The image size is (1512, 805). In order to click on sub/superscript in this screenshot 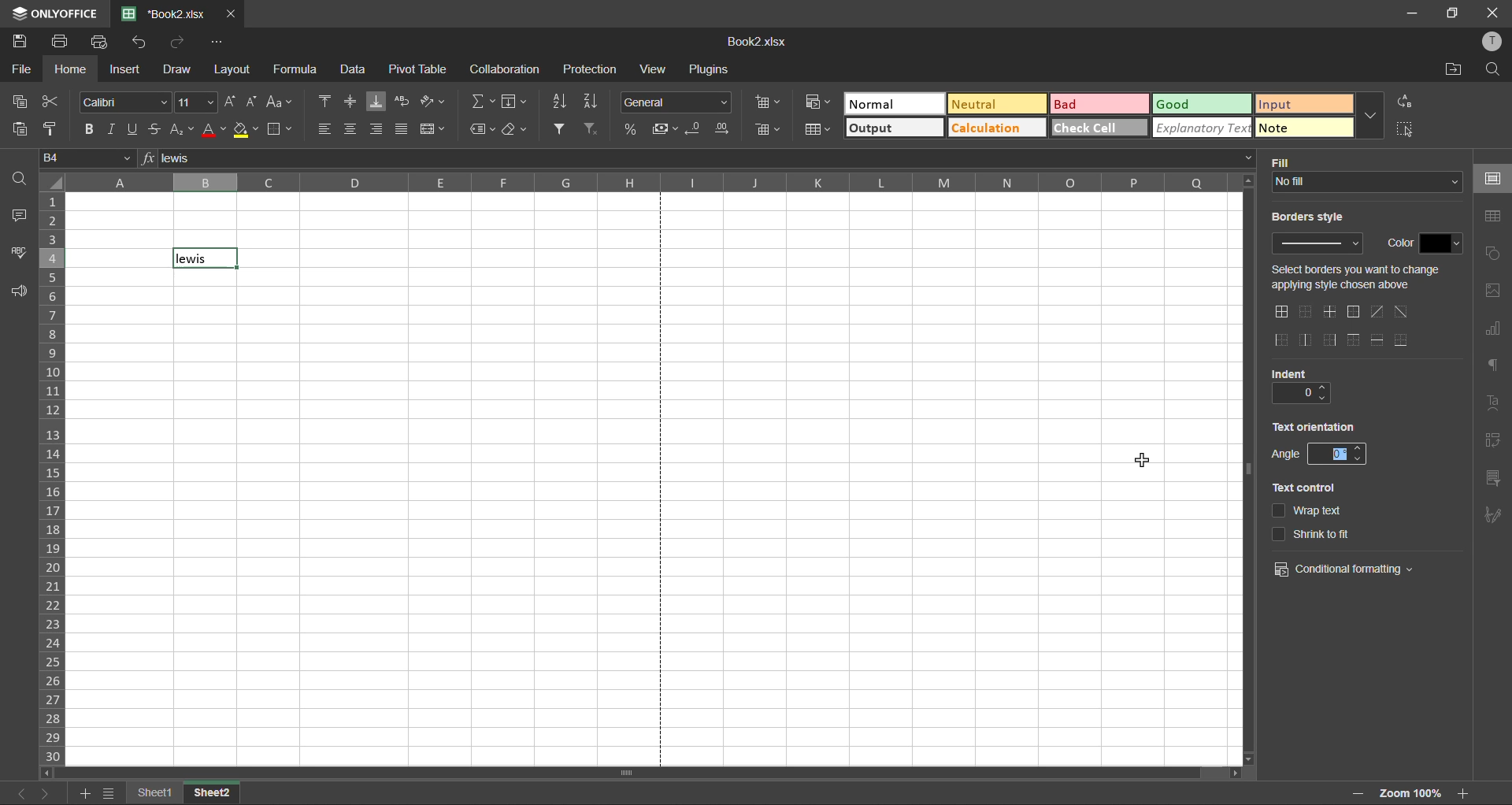, I will do `click(180, 131)`.